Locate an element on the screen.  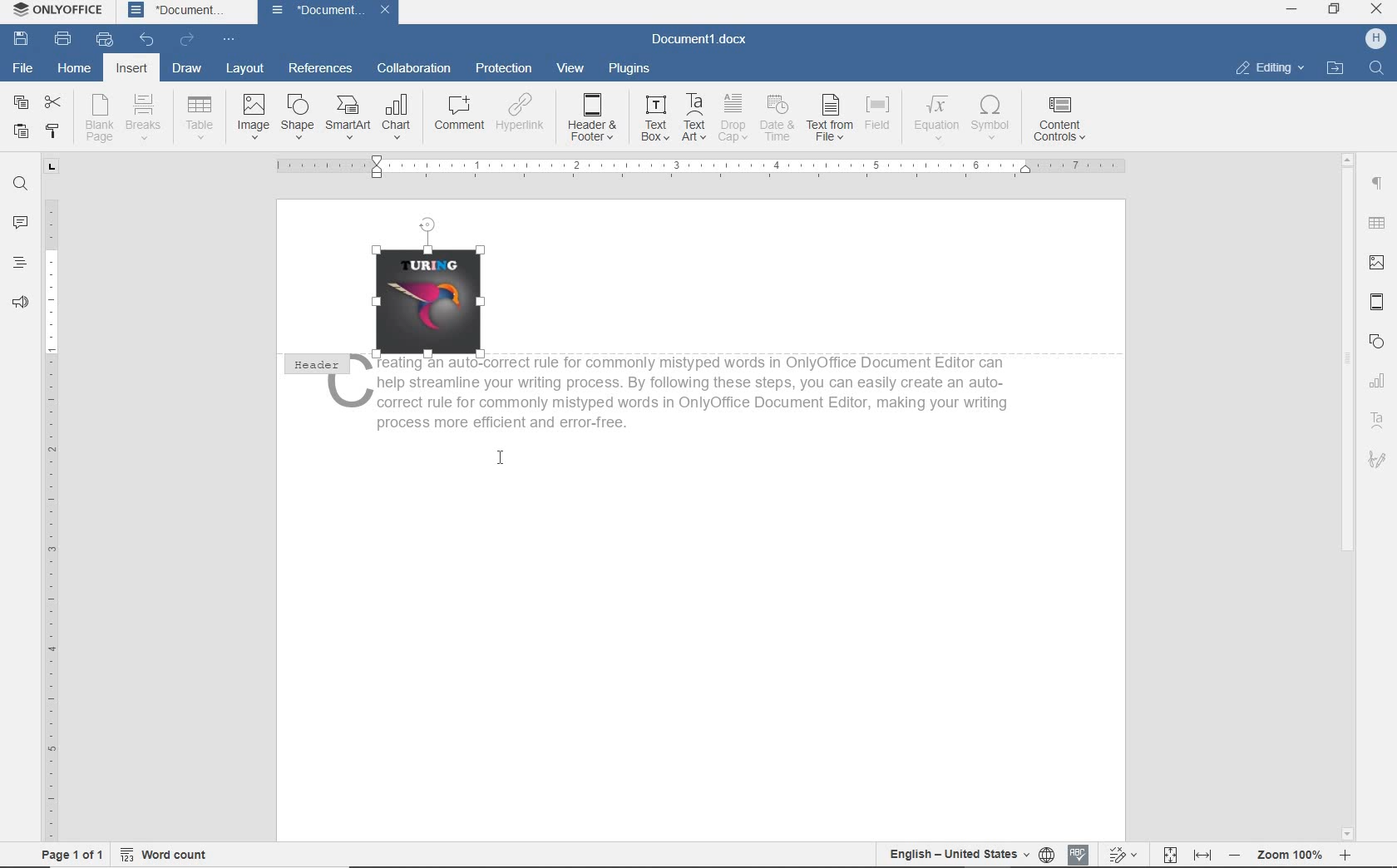
Word count is located at coordinates (162, 855).